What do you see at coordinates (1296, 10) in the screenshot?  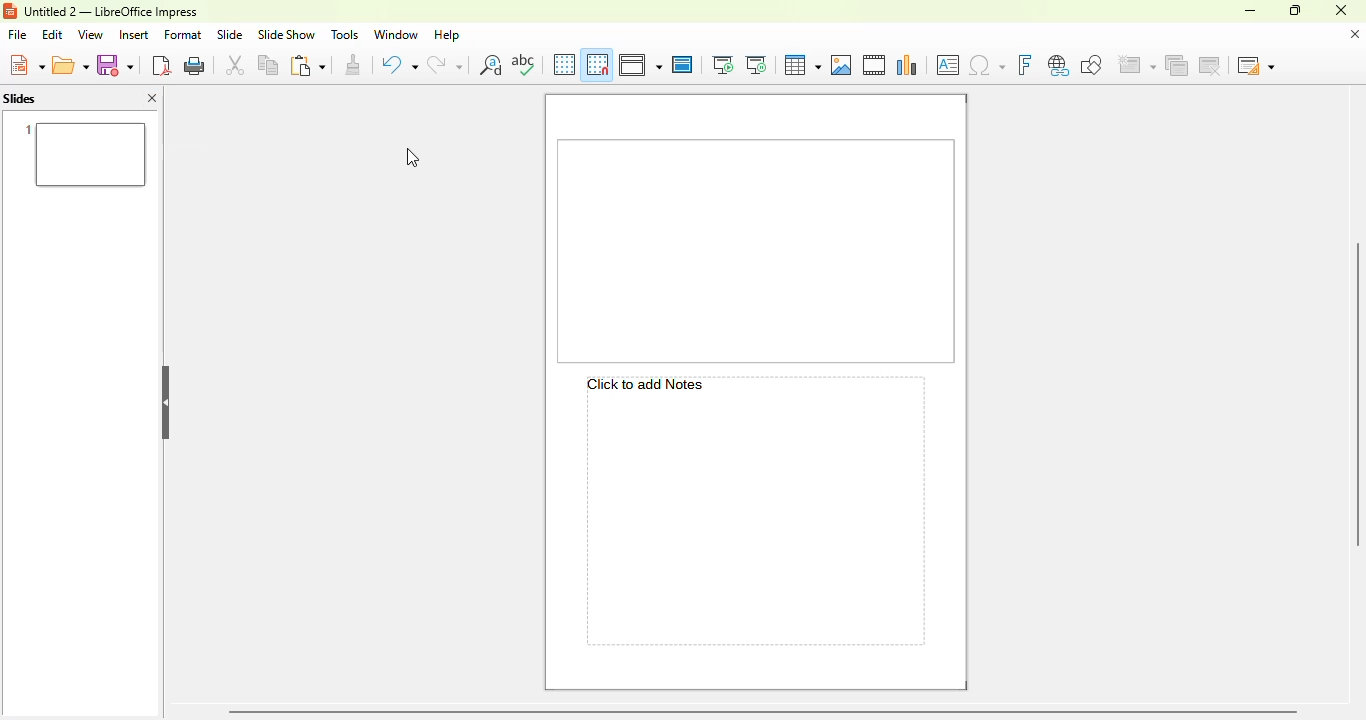 I see `maximize` at bounding box center [1296, 10].